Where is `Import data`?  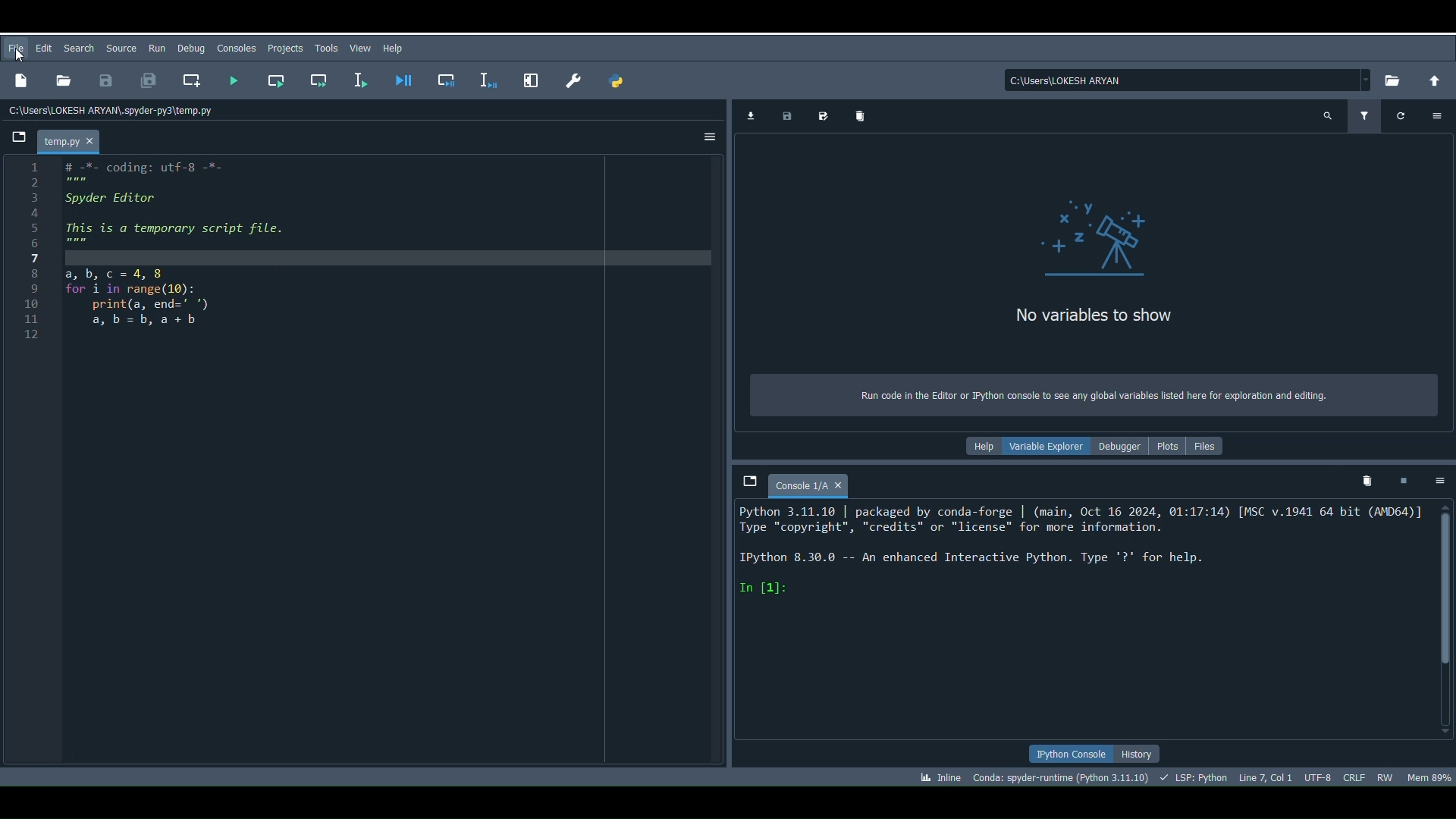
Import data is located at coordinates (749, 117).